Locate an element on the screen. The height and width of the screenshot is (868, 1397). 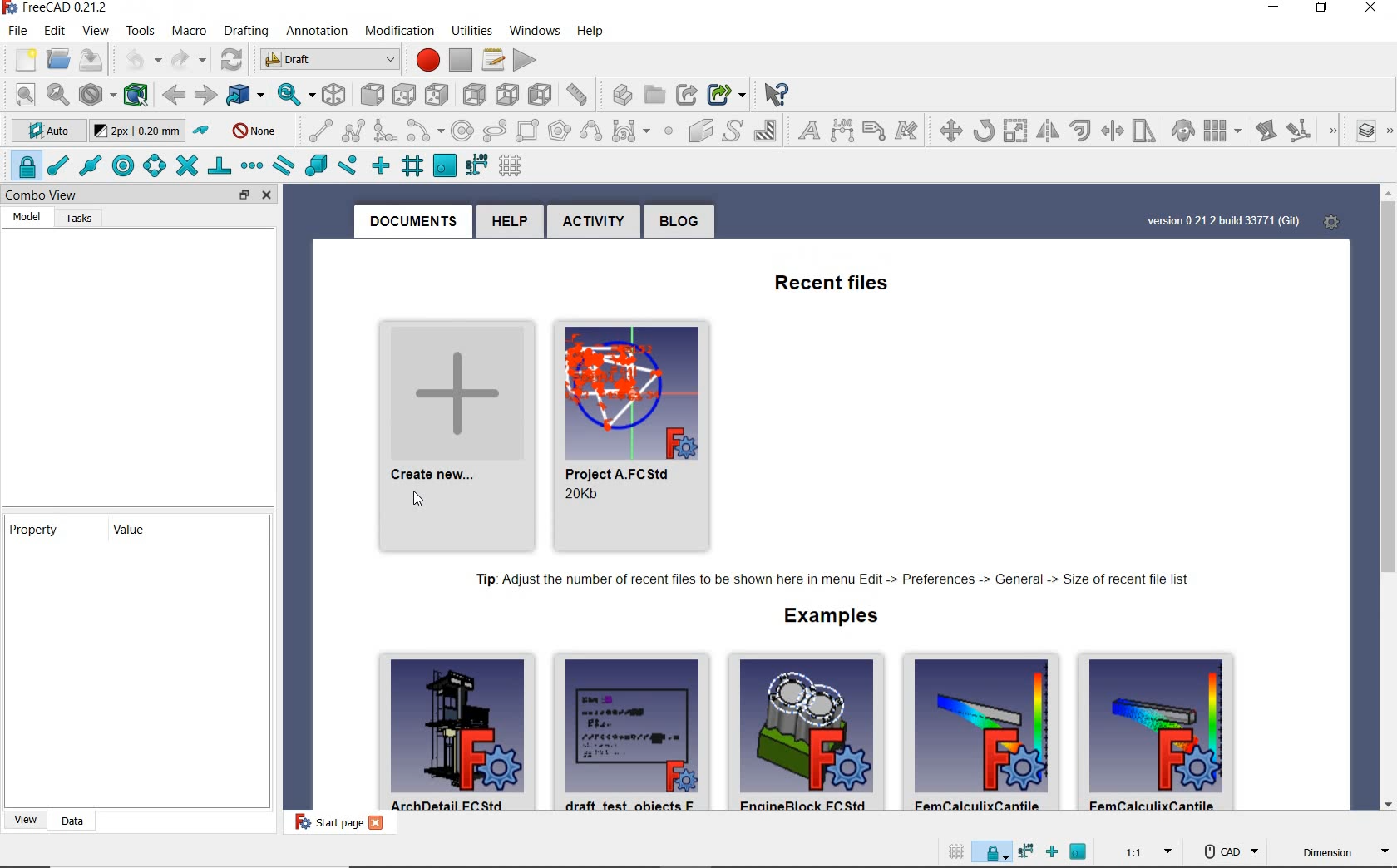
system name is located at coordinates (58, 8).